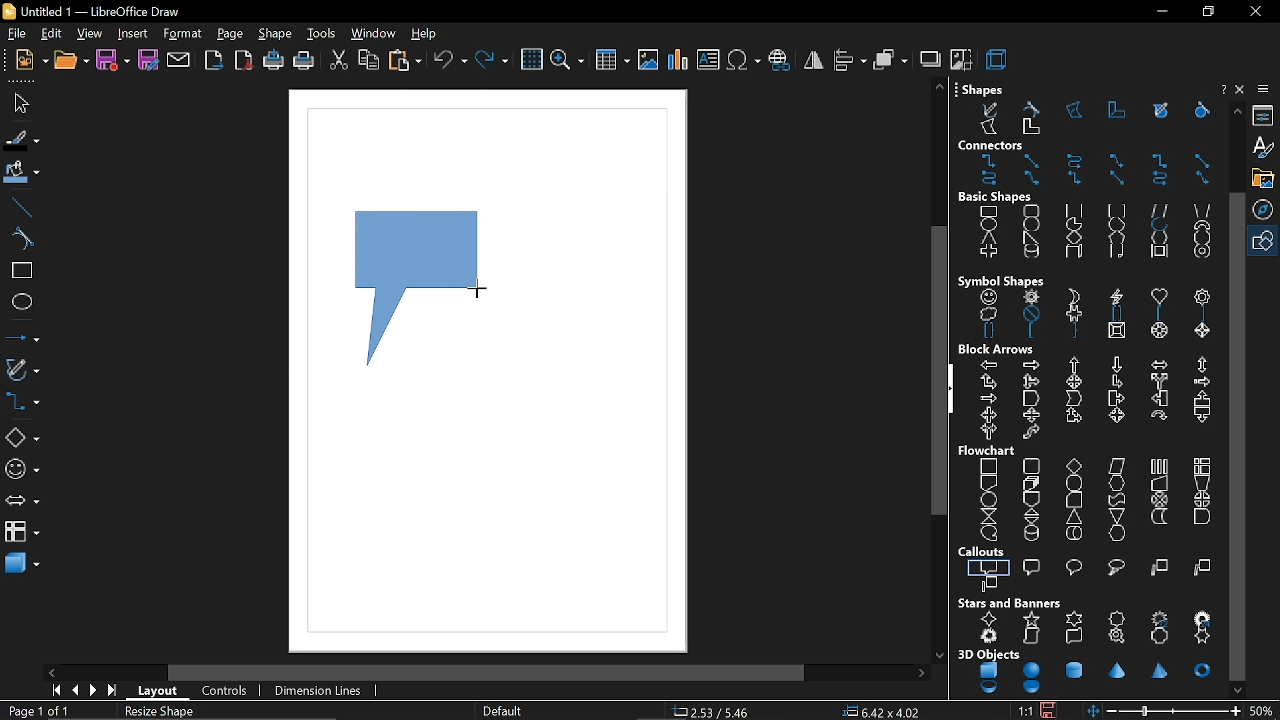 The image size is (1280, 720). I want to click on scaling factor, so click(1023, 711).